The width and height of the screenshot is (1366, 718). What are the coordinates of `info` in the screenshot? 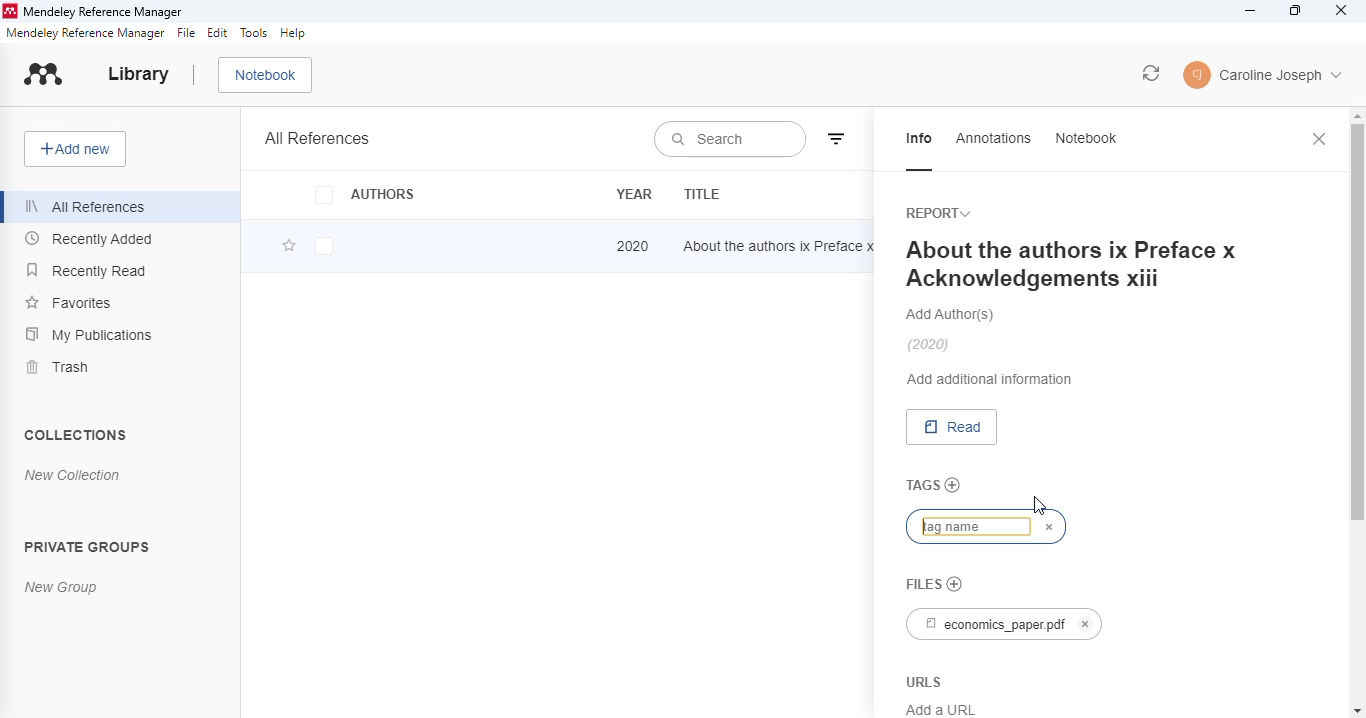 It's located at (919, 138).